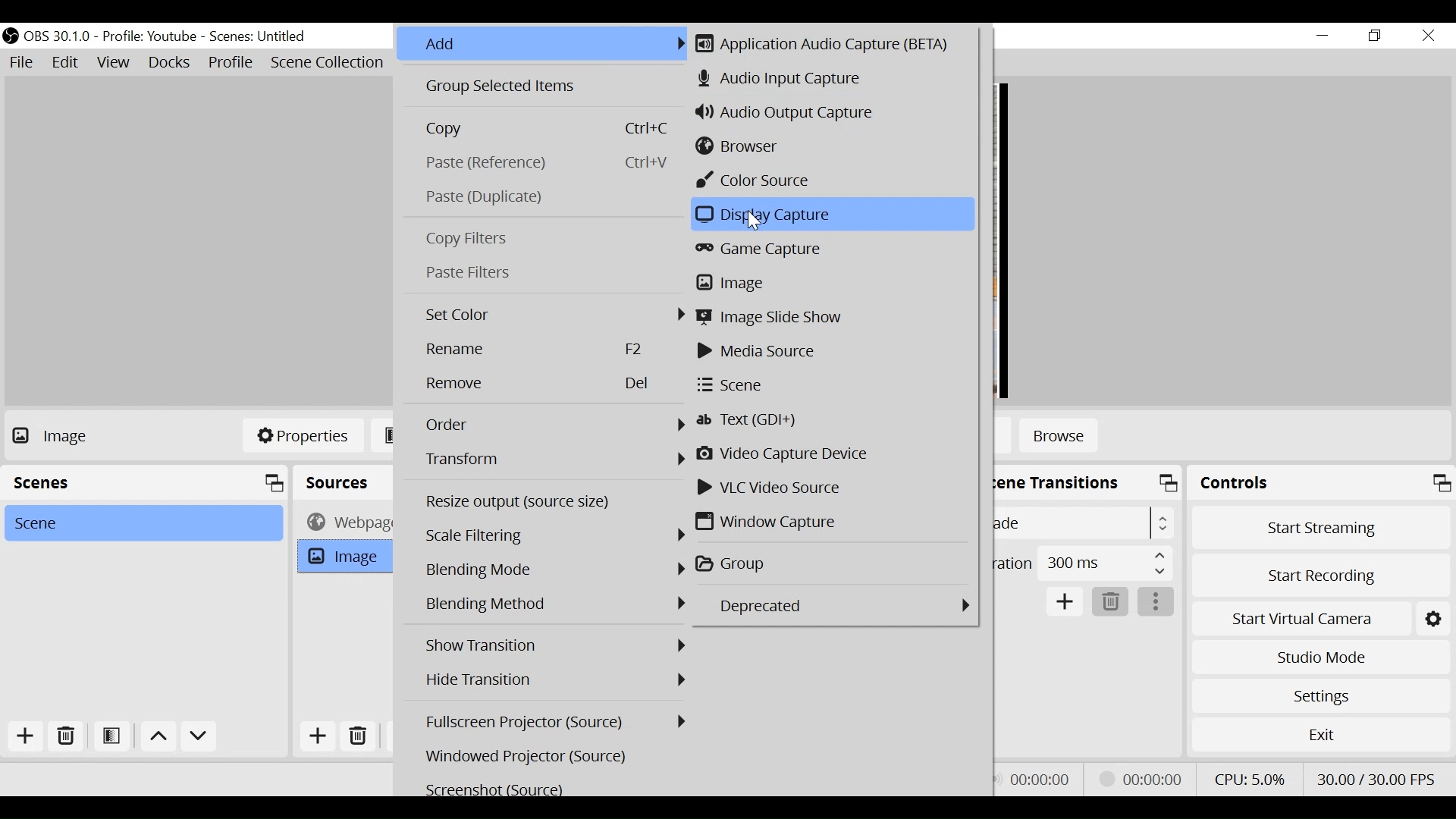 This screenshot has height=819, width=1456. Describe the element at coordinates (10, 36) in the screenshot. I see `OBS Studio Desktop Icon` at that location.